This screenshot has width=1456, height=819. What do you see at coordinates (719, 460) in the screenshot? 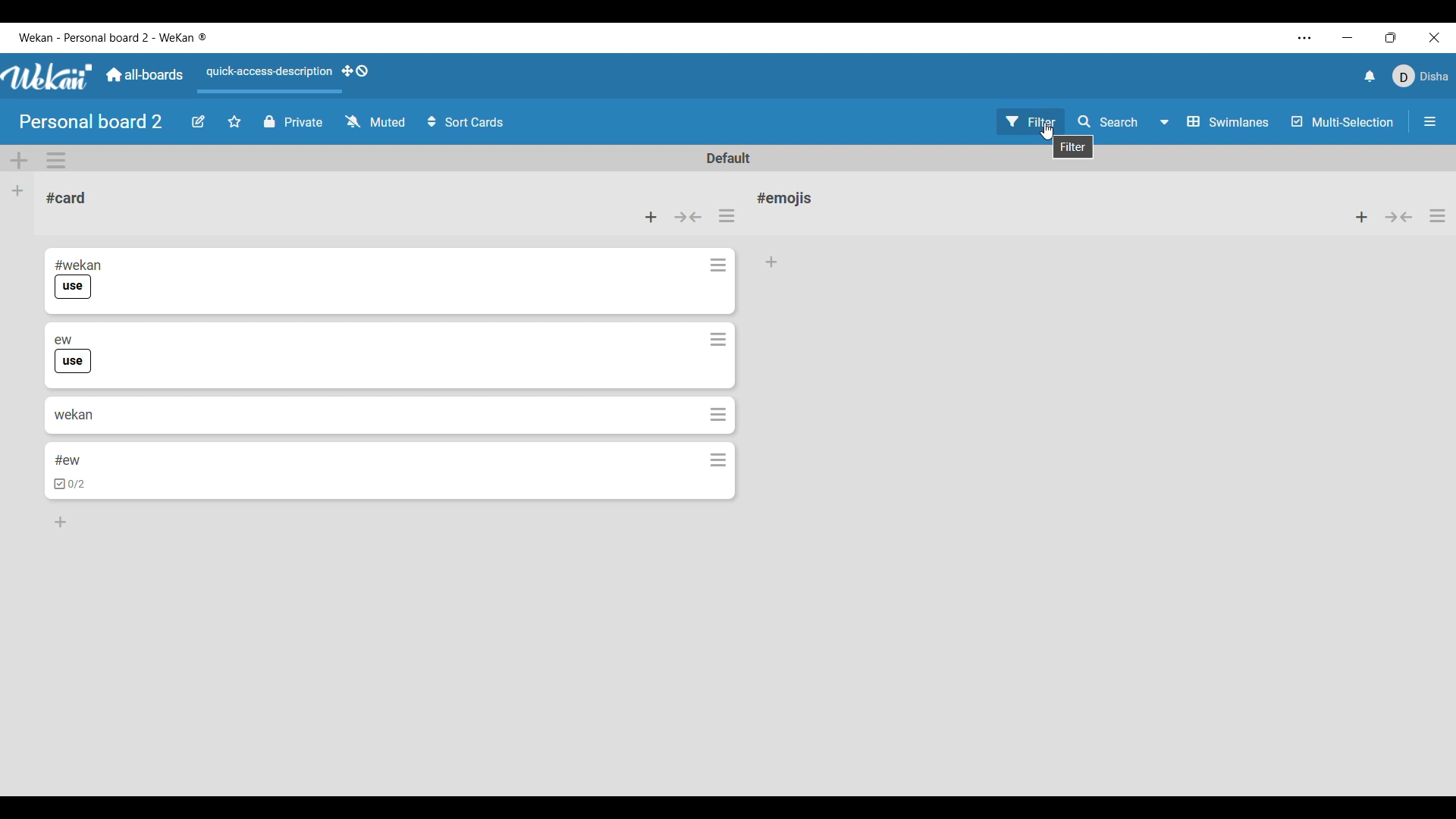
I see `Card actions for respective card` at bounding box center [719, 460].